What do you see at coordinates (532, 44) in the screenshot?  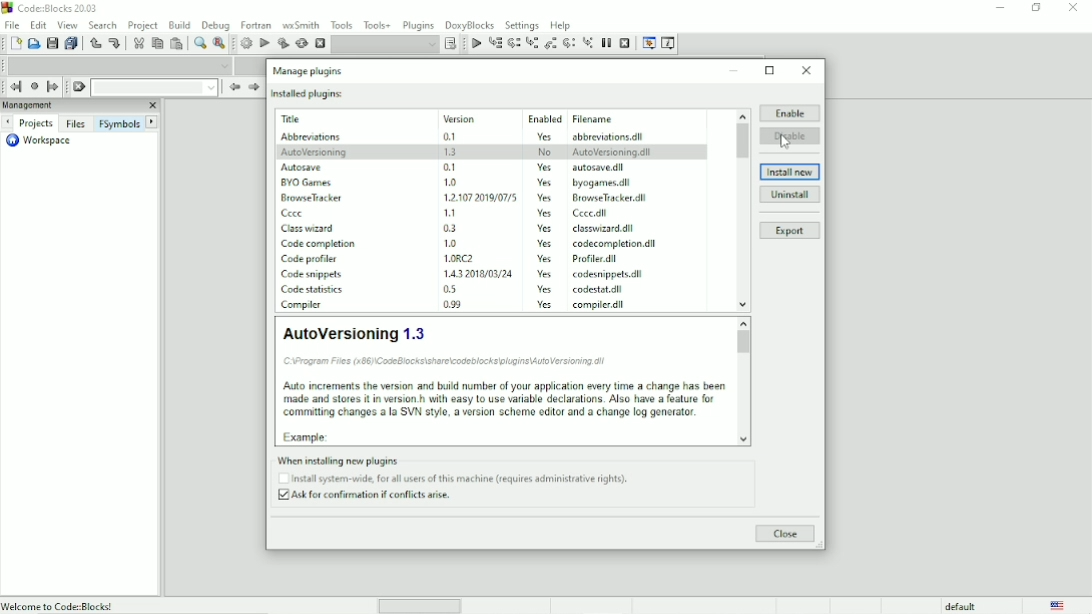 I see `Step into` at bounding box center [532, 44].